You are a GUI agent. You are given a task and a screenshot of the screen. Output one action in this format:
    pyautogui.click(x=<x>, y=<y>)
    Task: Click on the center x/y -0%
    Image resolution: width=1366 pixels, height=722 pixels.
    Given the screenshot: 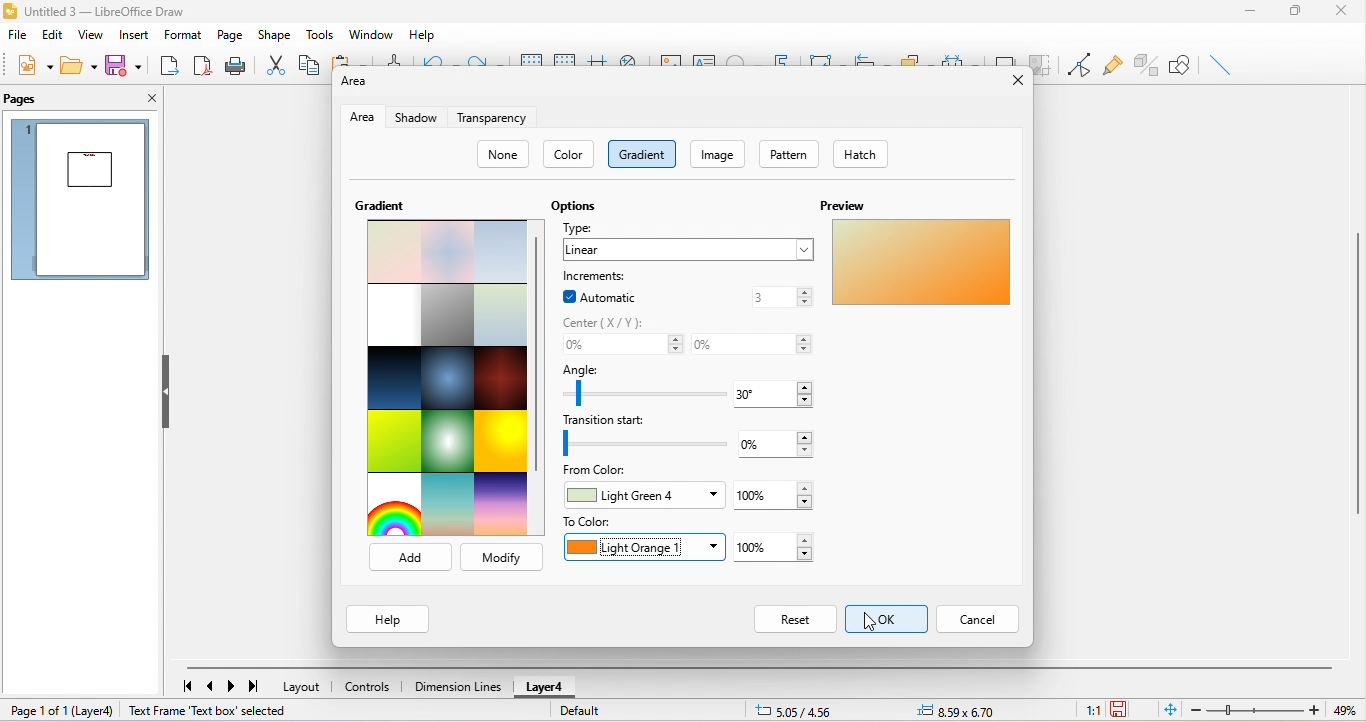 What is the action you would take?
    pyautogui.click(x=752, y=341)
    